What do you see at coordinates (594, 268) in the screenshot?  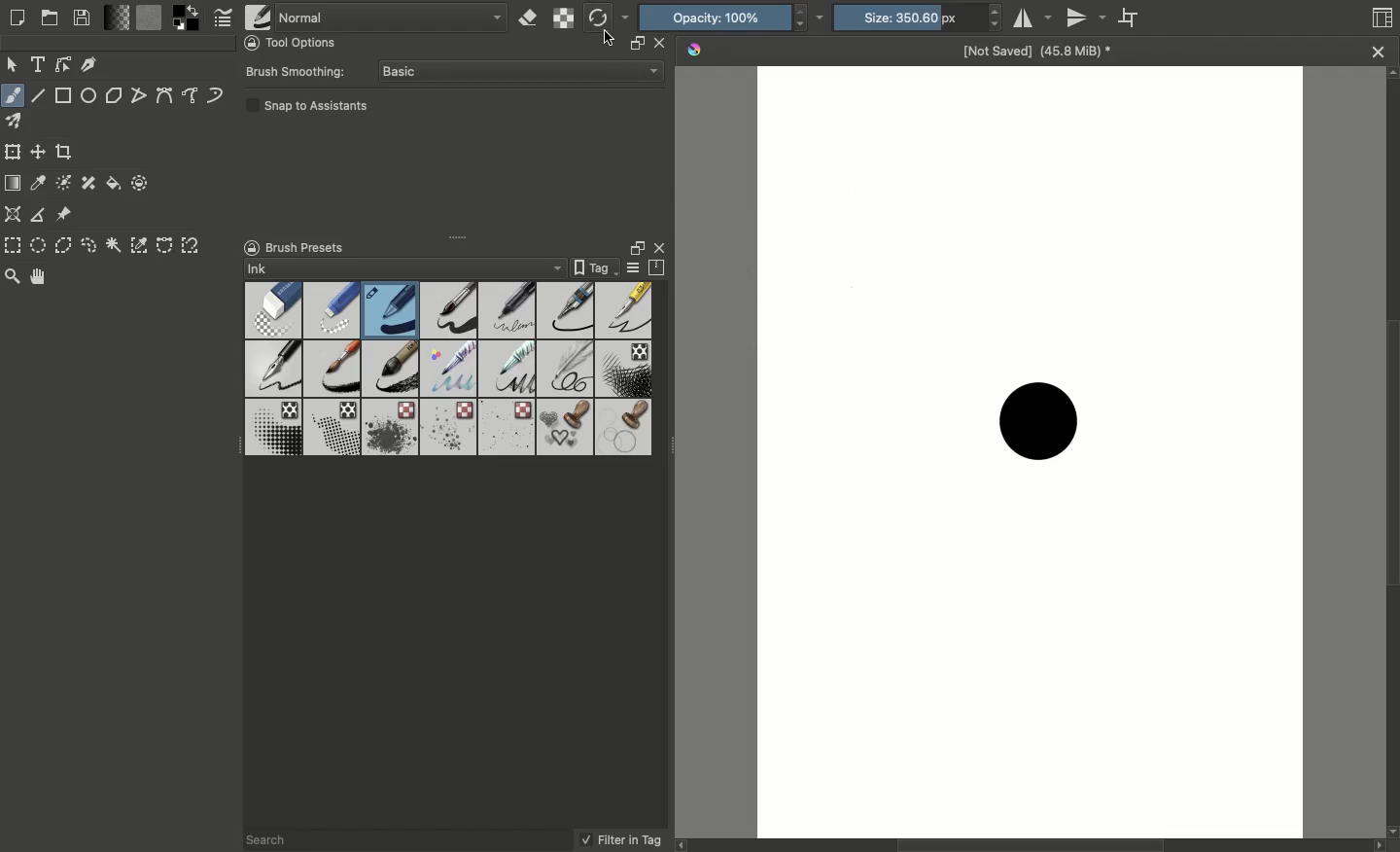 I see `Tag` at bounding box center [594, 268].